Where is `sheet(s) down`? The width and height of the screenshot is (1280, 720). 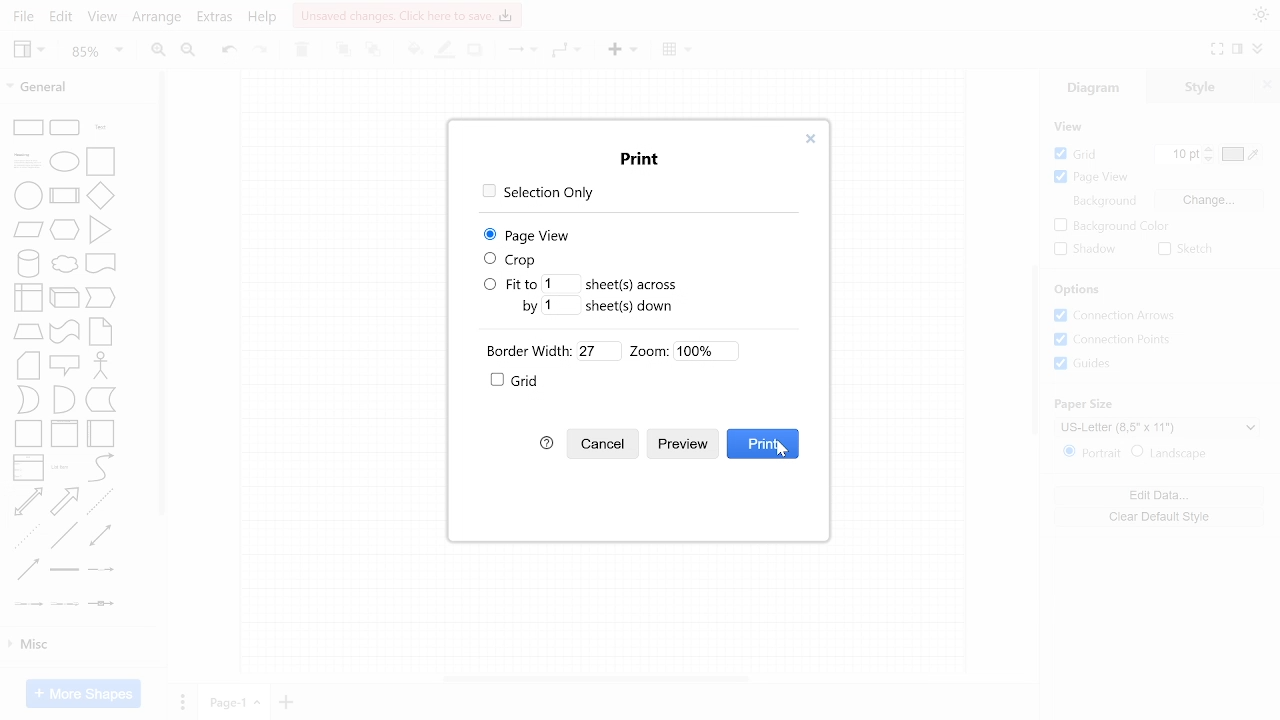 sheet(s) down is located at coordinates (630, 306).